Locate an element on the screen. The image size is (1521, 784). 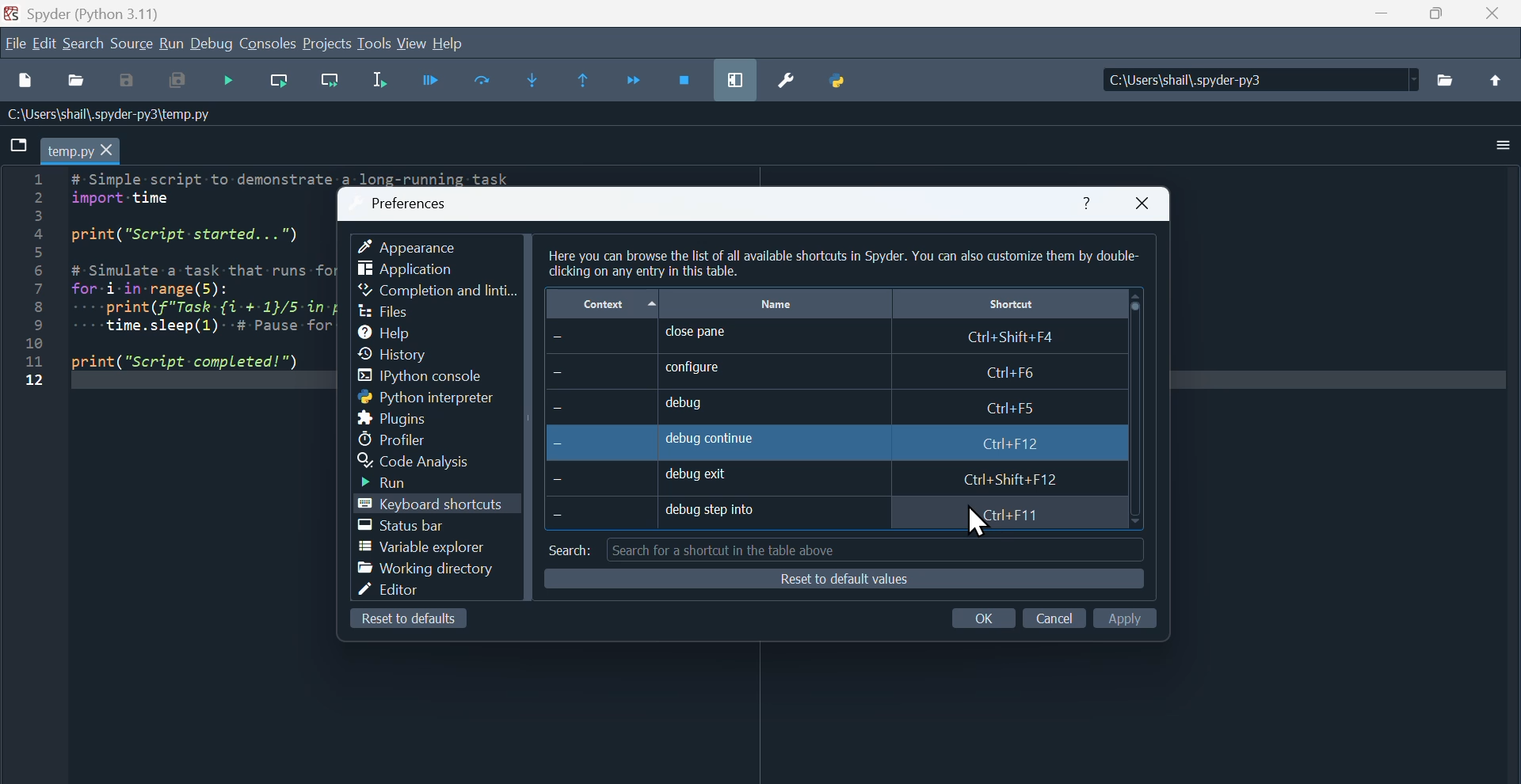
close is located at coordinates (1492, 18).